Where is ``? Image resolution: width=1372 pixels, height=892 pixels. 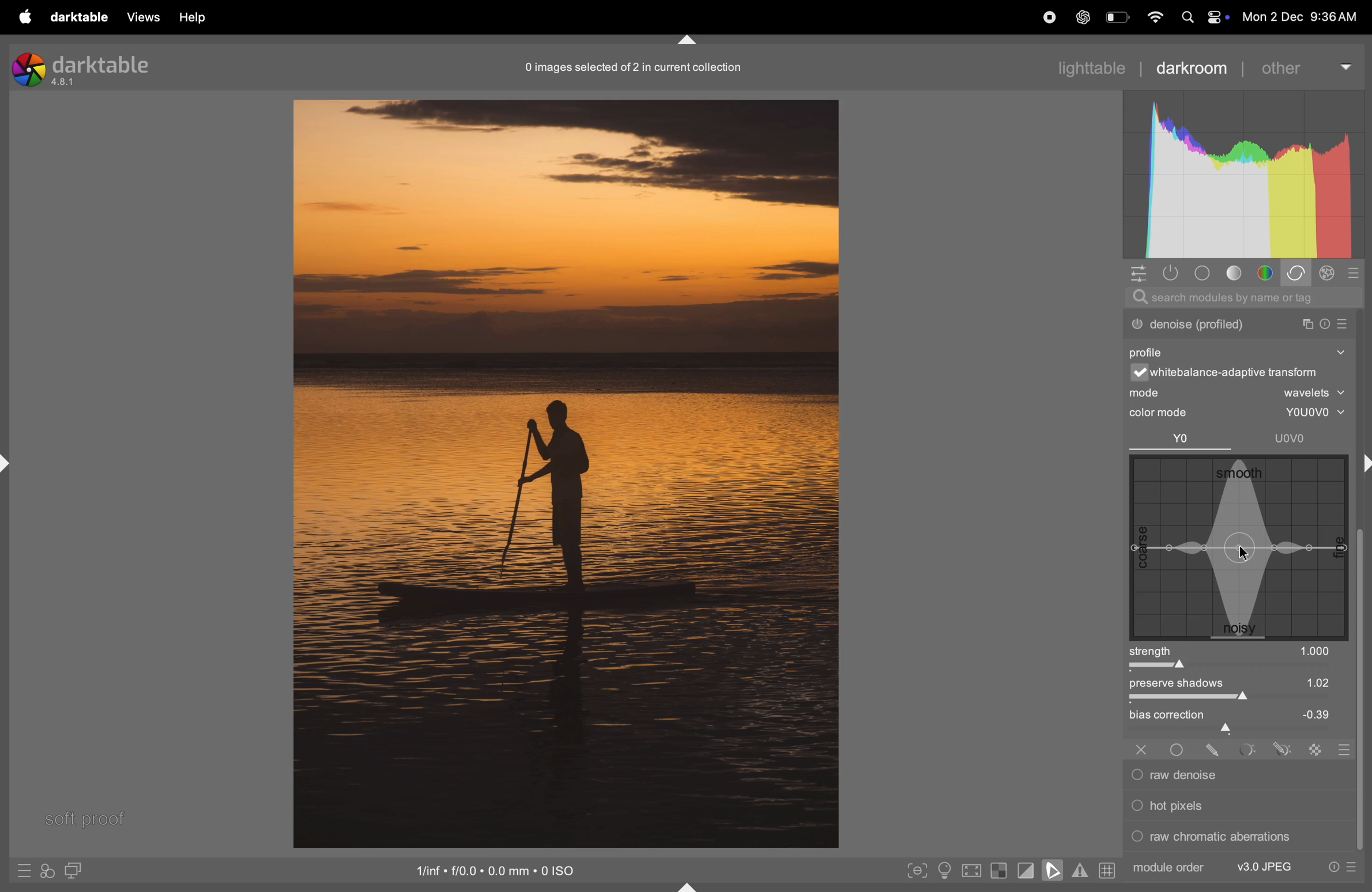  is located at coordinates (1246, 749).